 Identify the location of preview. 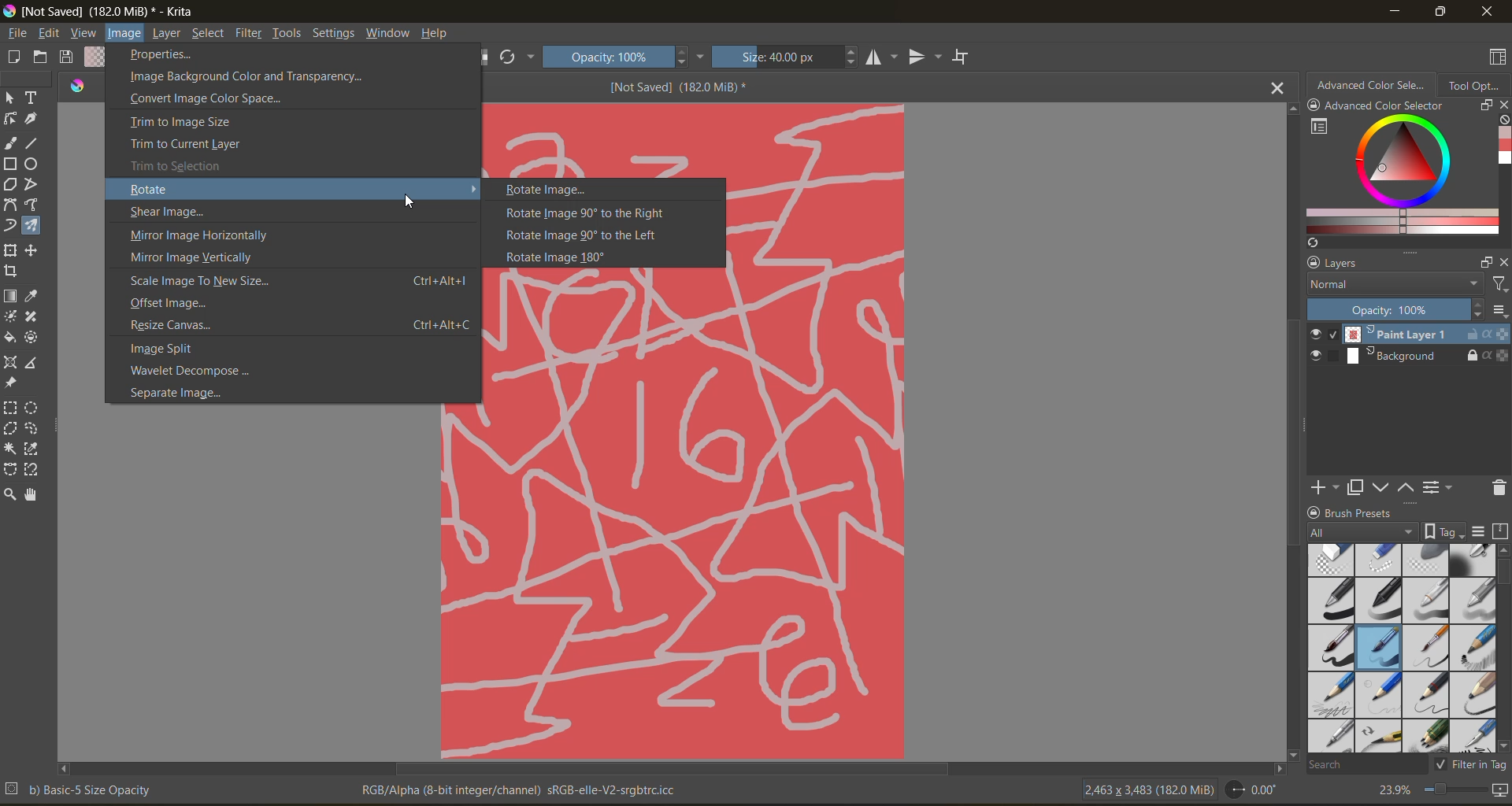
(1318, 346).